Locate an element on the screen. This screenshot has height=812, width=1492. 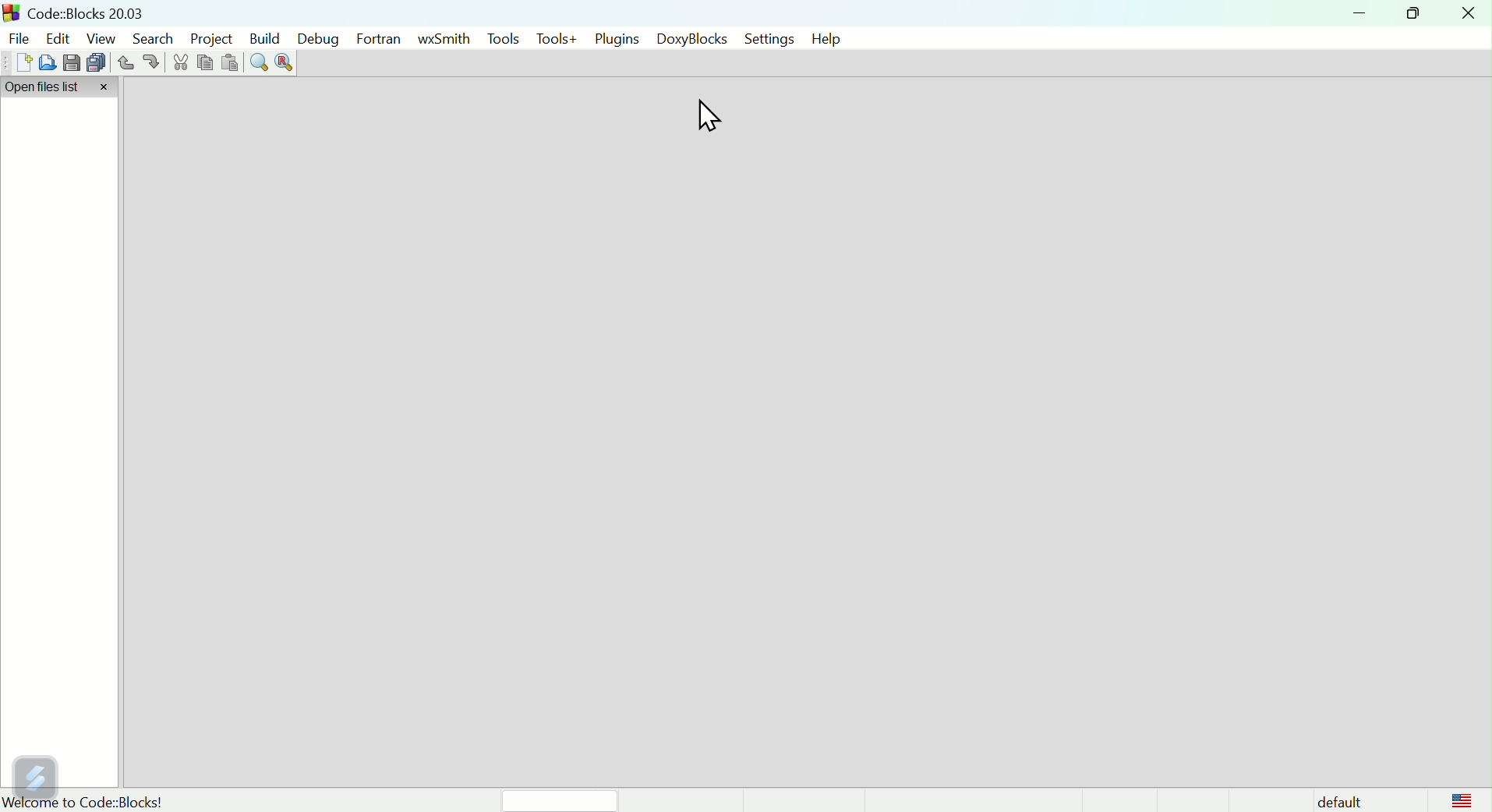
cut is located at coordinates (182, 63).